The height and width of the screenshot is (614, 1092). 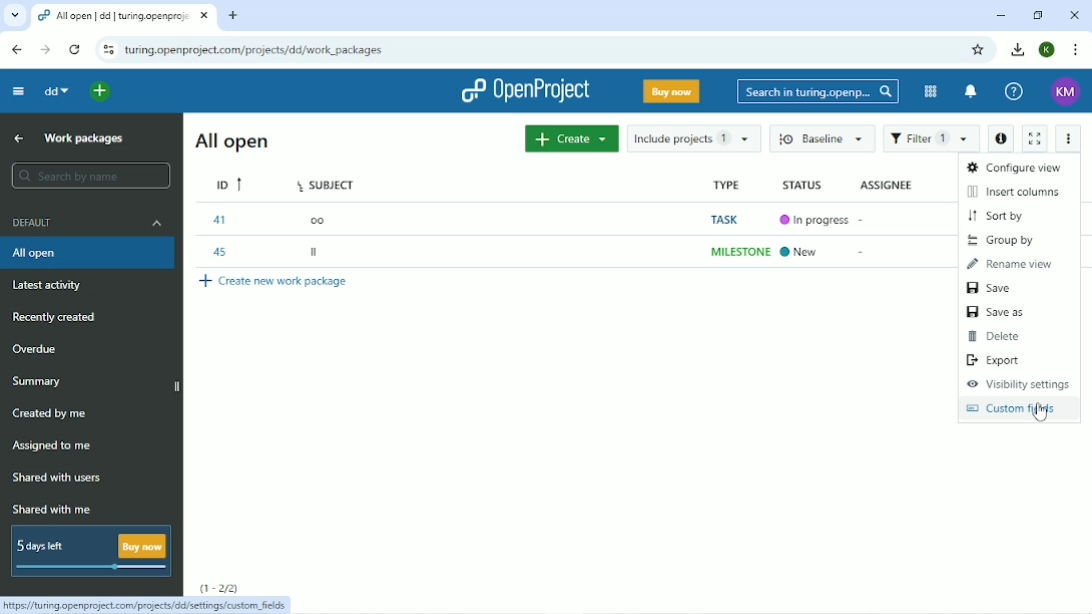 What do you see at coordinates (1001, 140) in the screenshot?
I see `Open details view` at bounding box center [1001, 140].